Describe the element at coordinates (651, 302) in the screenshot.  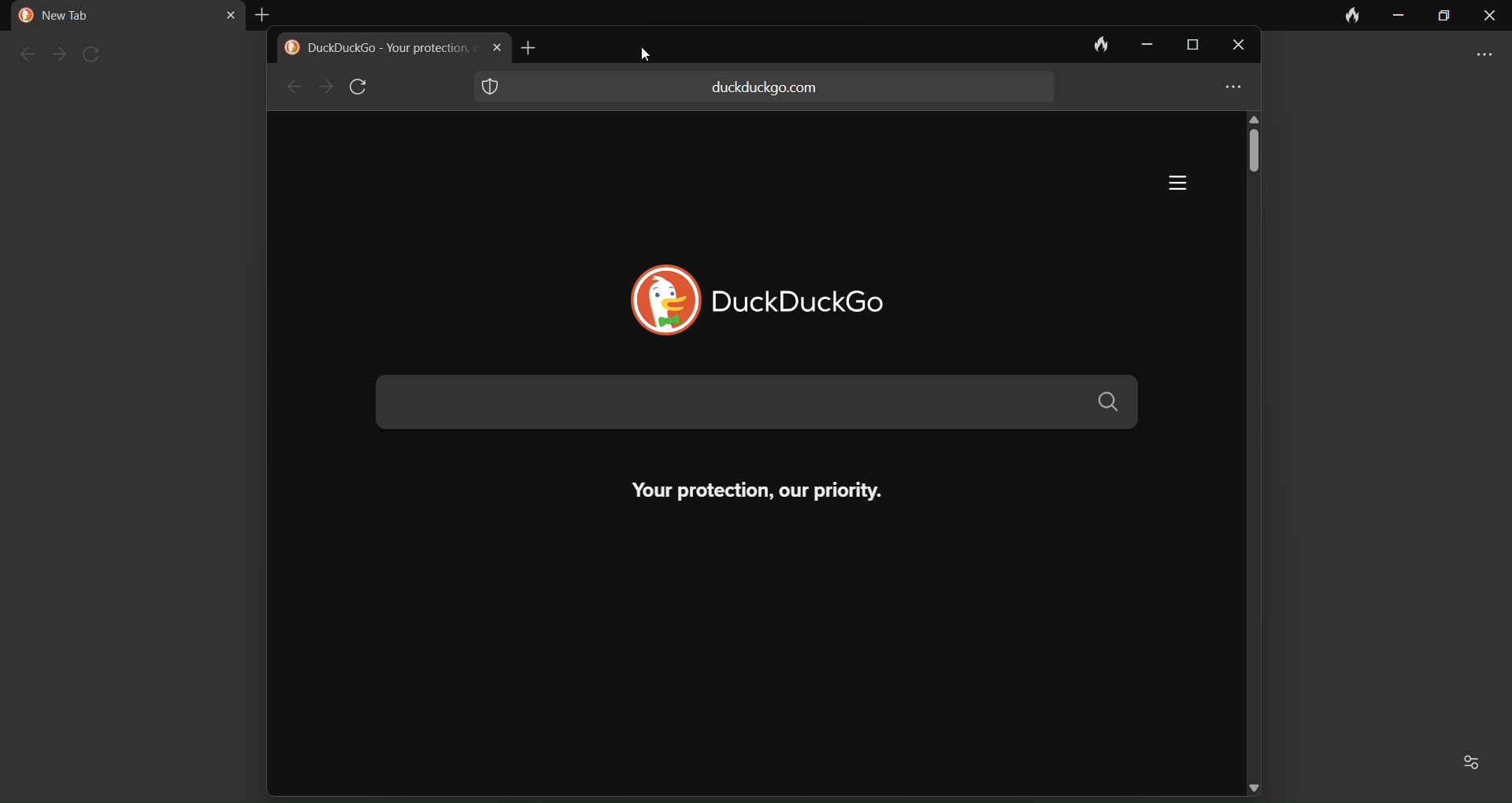
I see `Logo` at that location.